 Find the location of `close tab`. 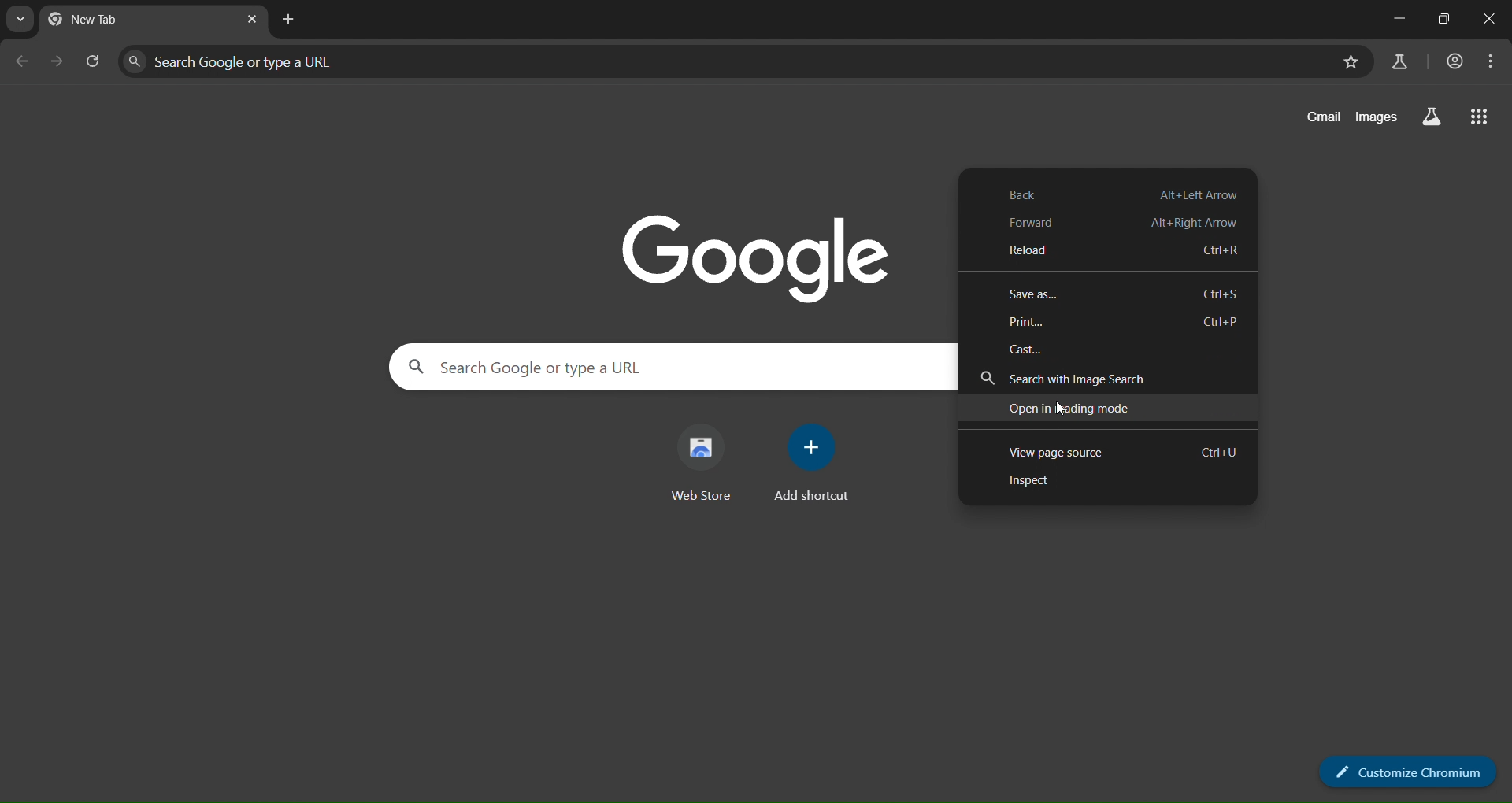

close tab is located at coordinates (252, 21).